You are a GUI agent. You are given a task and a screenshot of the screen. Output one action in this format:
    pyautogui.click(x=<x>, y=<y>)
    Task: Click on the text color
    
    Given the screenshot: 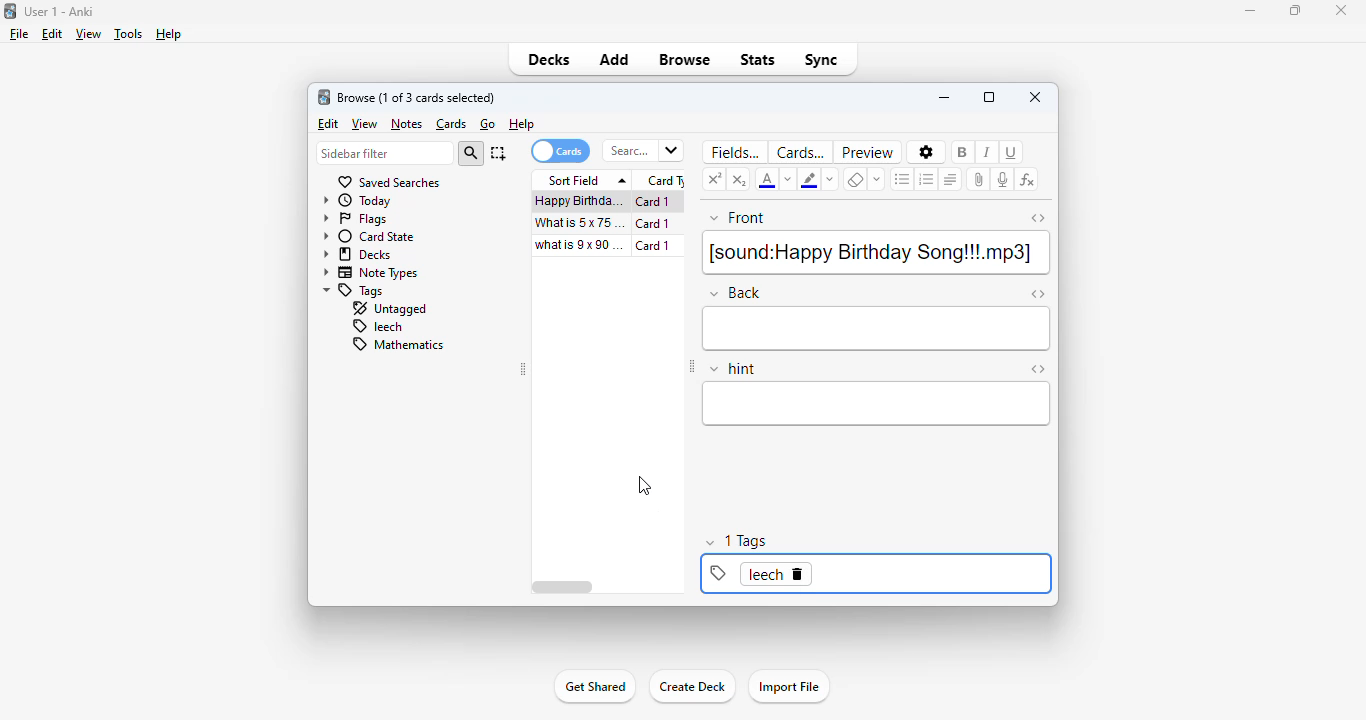 What is the action you would take?
    pyautogui.click(x=768, y=179)
    